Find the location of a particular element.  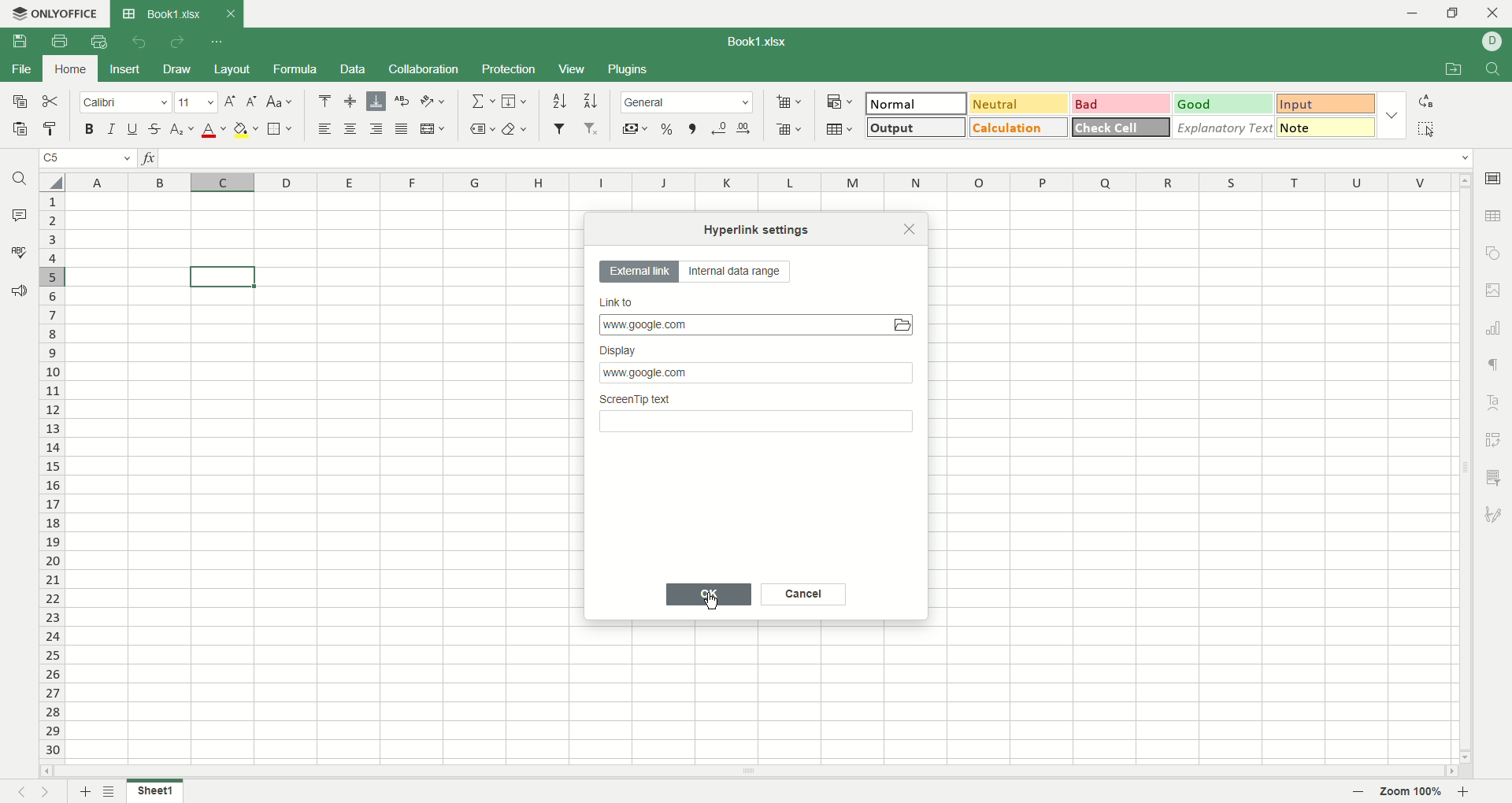

print is located at coordinates (59, 41).